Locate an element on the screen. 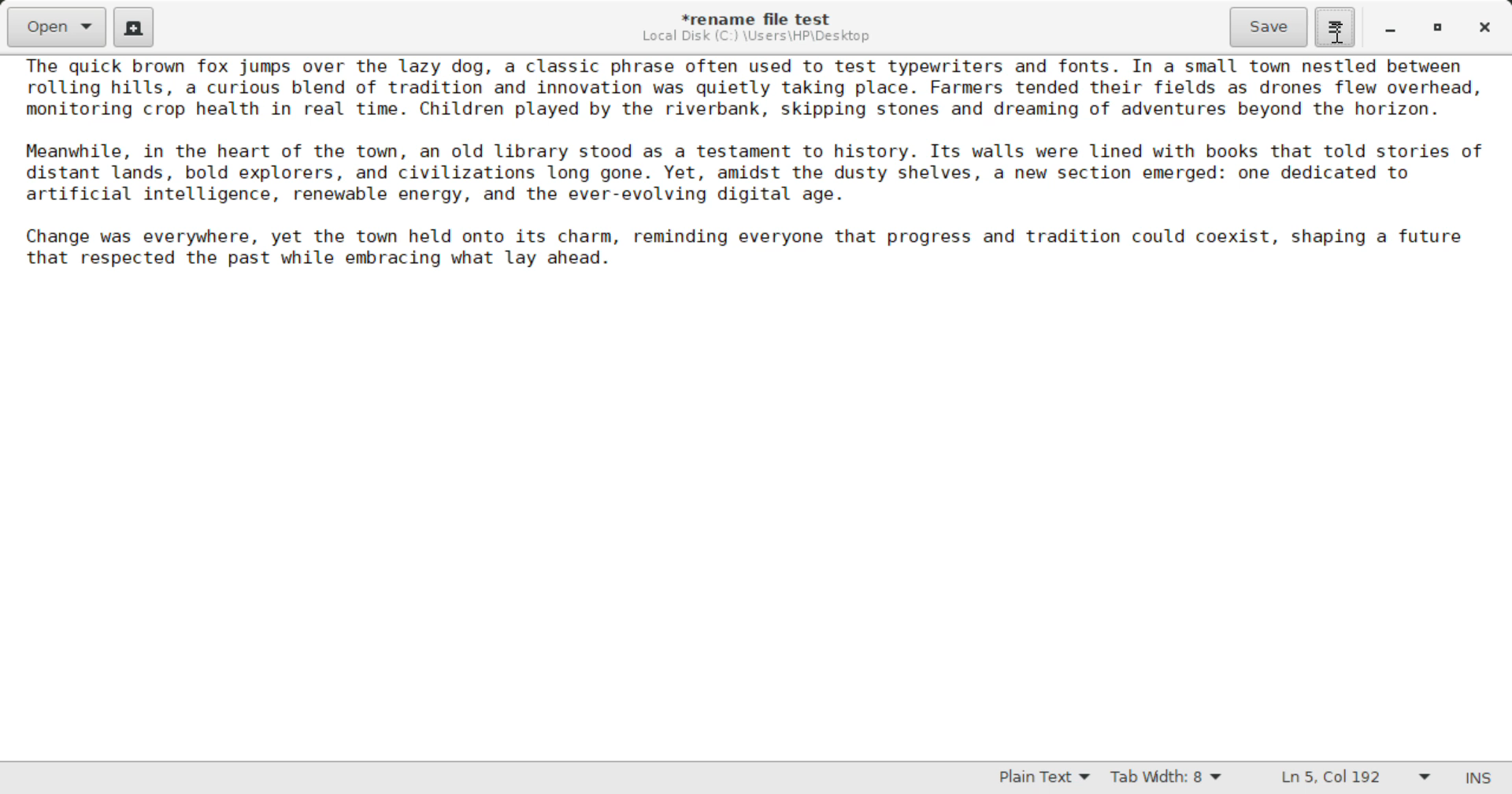  Sample text about a charming town is located at coordinates (756, 169).